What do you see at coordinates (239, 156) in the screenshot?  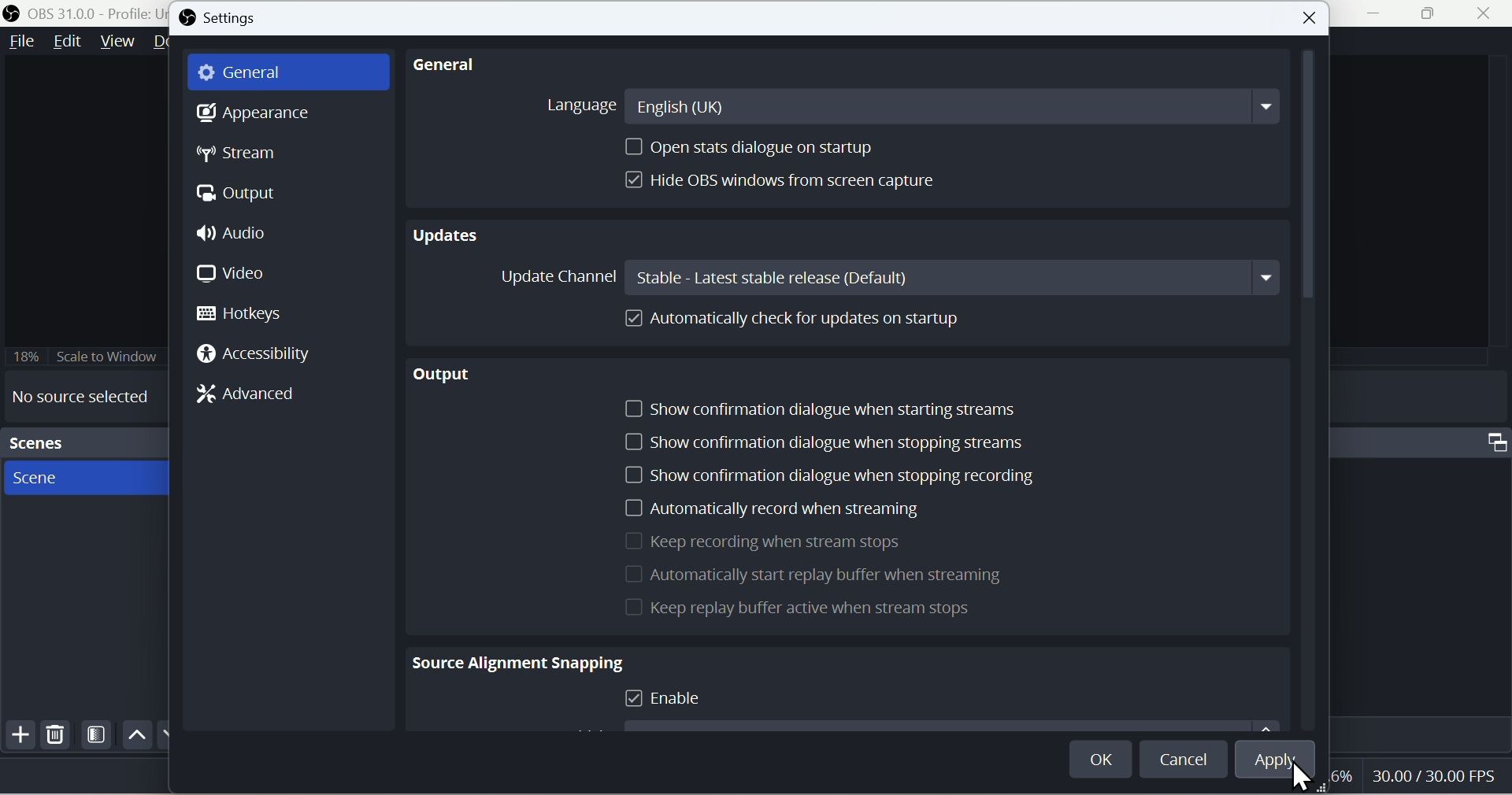 I see `Stream` at bounding box center [239, 156].